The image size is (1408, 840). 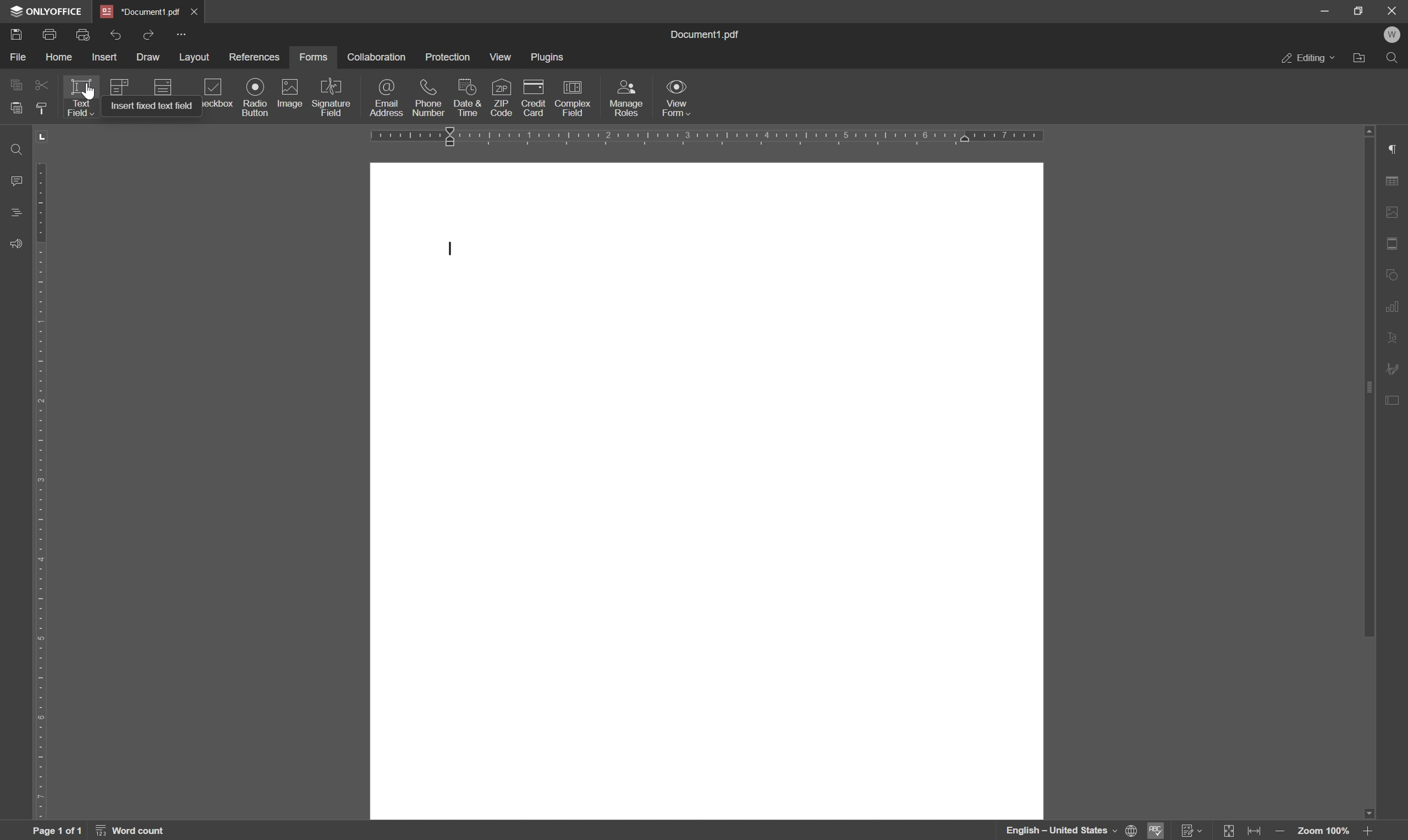 What do you see at coordinates (572, 99) in the screenshot?
I see `complex field` at bounding box center [572, 99].